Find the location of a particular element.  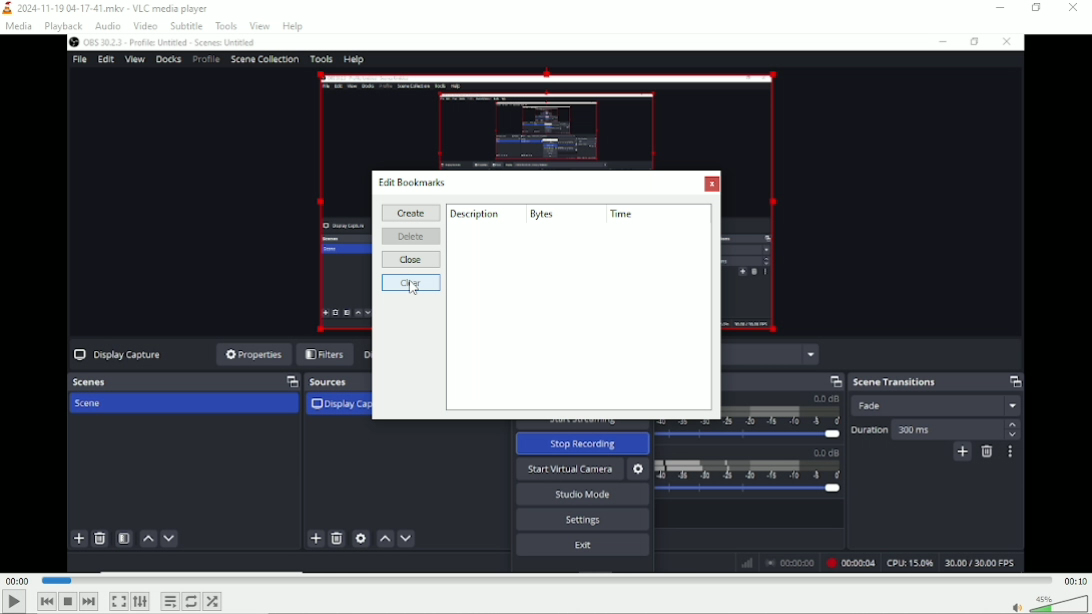

Close is located at coordinates (709, 185).